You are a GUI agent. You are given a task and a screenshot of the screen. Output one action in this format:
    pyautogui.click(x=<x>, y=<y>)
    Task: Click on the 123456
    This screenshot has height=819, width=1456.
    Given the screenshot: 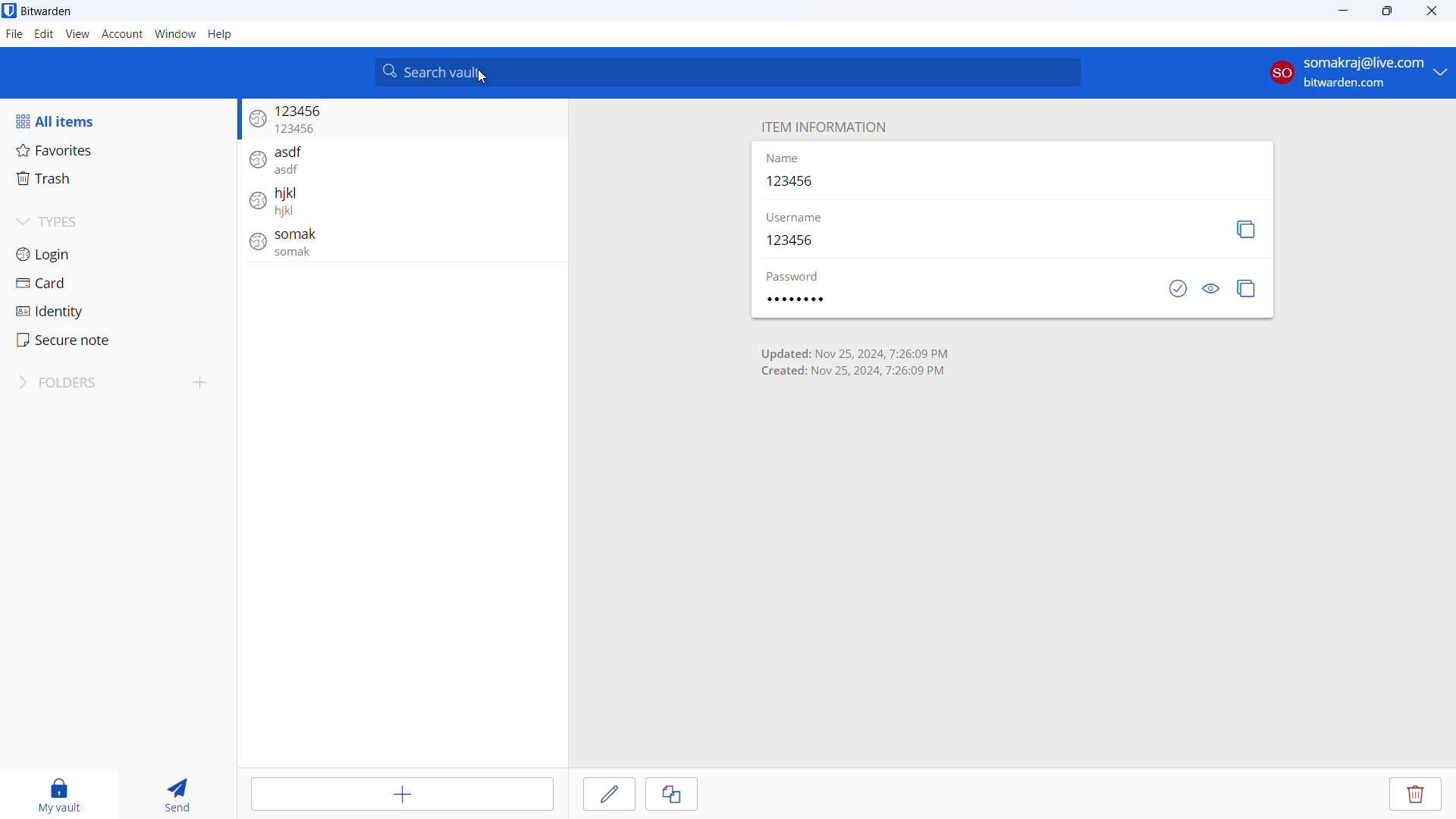 What is the action you would take?
    pyautogui.click(x=795, y=182)
    